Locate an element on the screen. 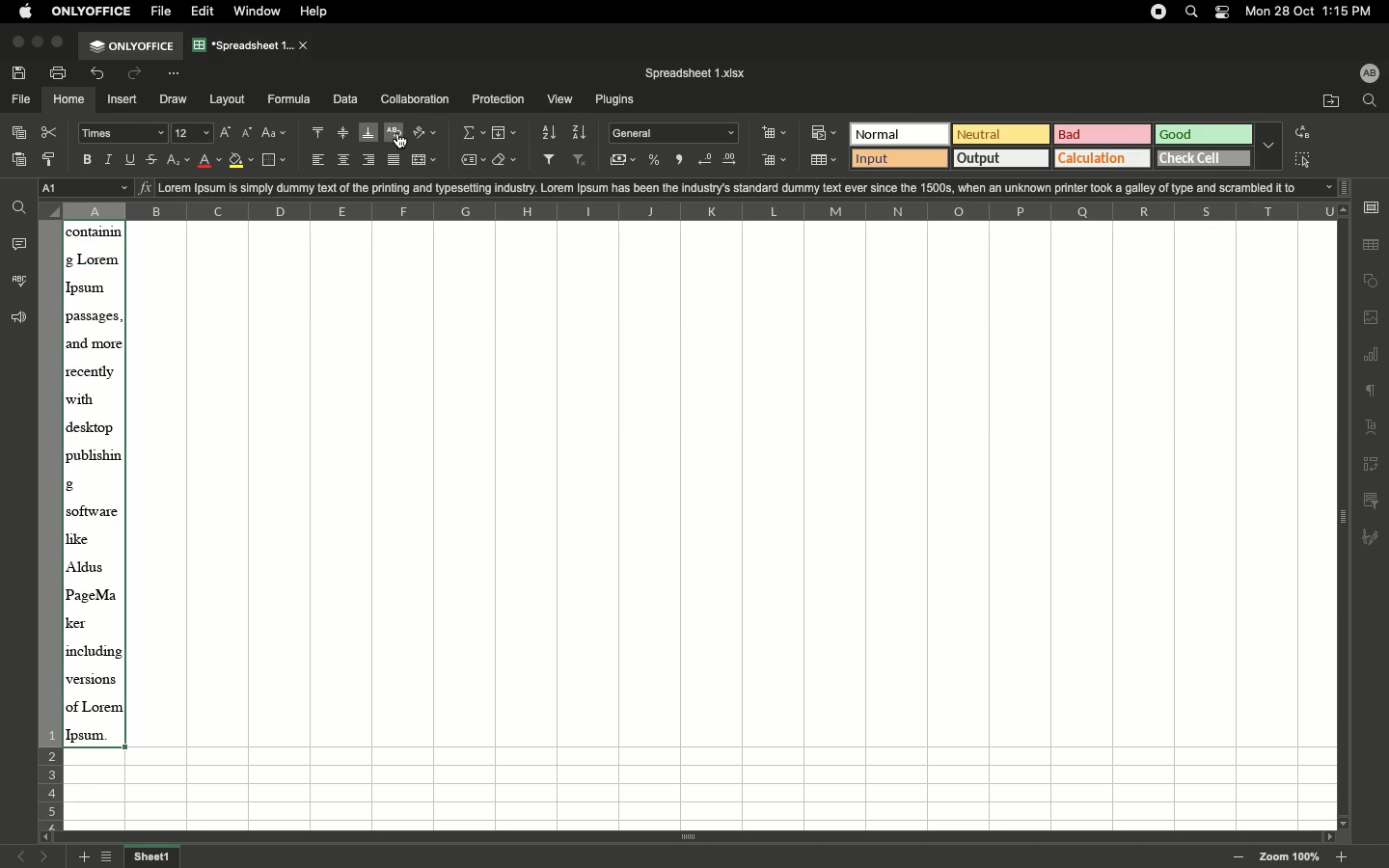 The image size is (1389, 868). Search is located at coordinates (1372, 101).